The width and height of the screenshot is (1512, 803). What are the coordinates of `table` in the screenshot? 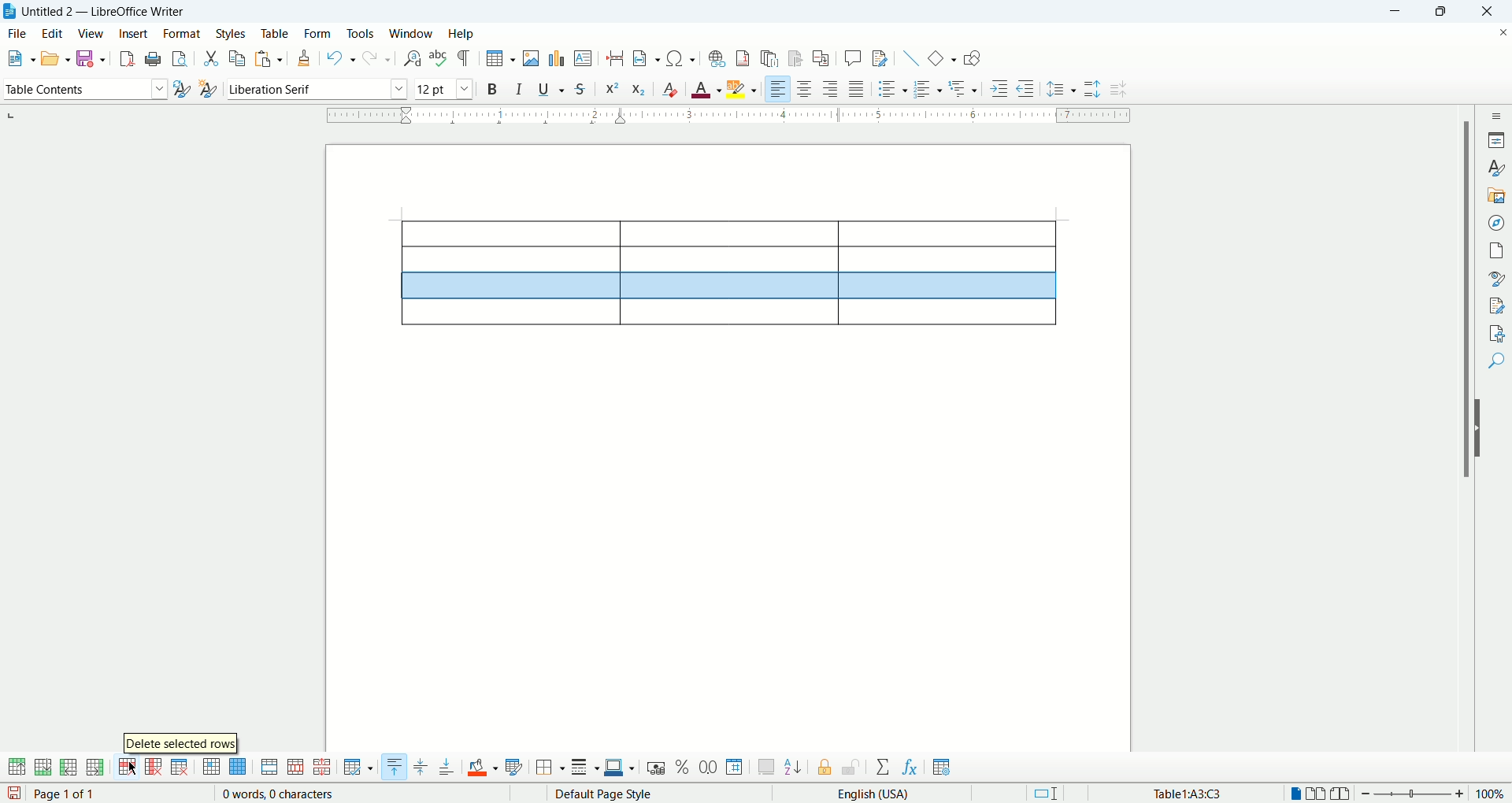 It's located at (725, 280).